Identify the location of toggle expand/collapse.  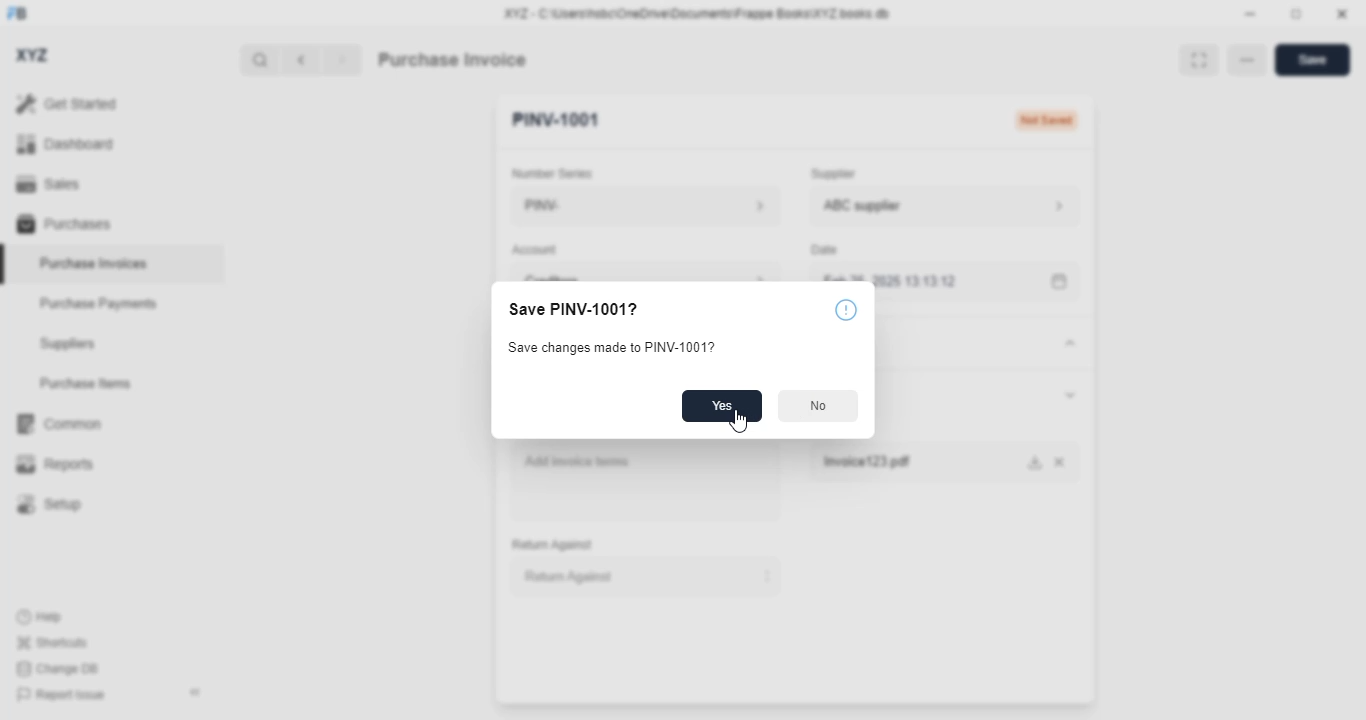
(1070, 395).